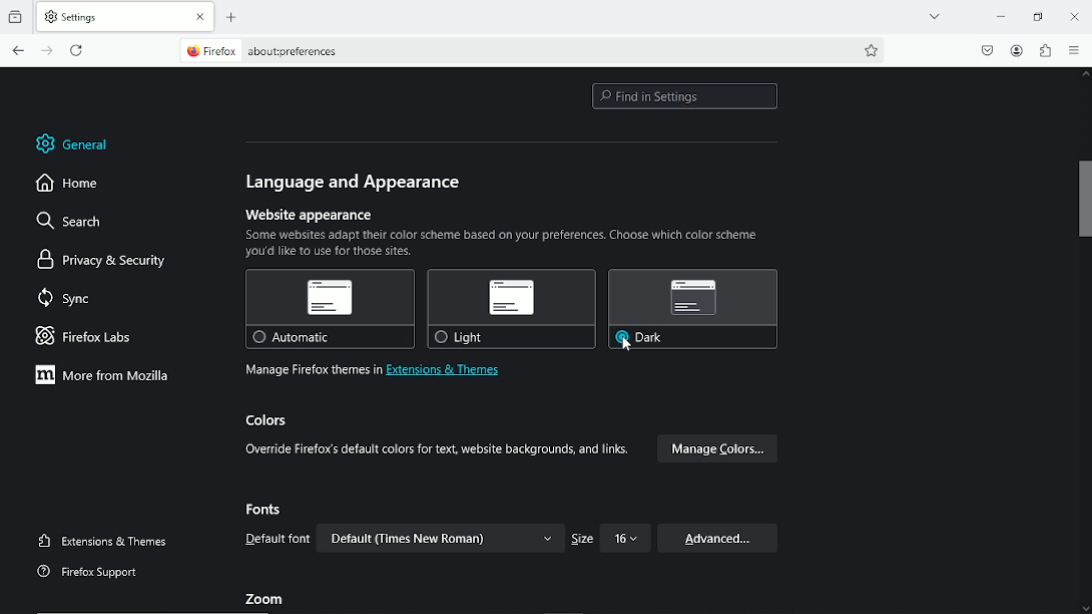 This screenshot has width=1092, height=614. Describe the element at coordinates (269, 418) in the screenshot. I see `colors` at that location.